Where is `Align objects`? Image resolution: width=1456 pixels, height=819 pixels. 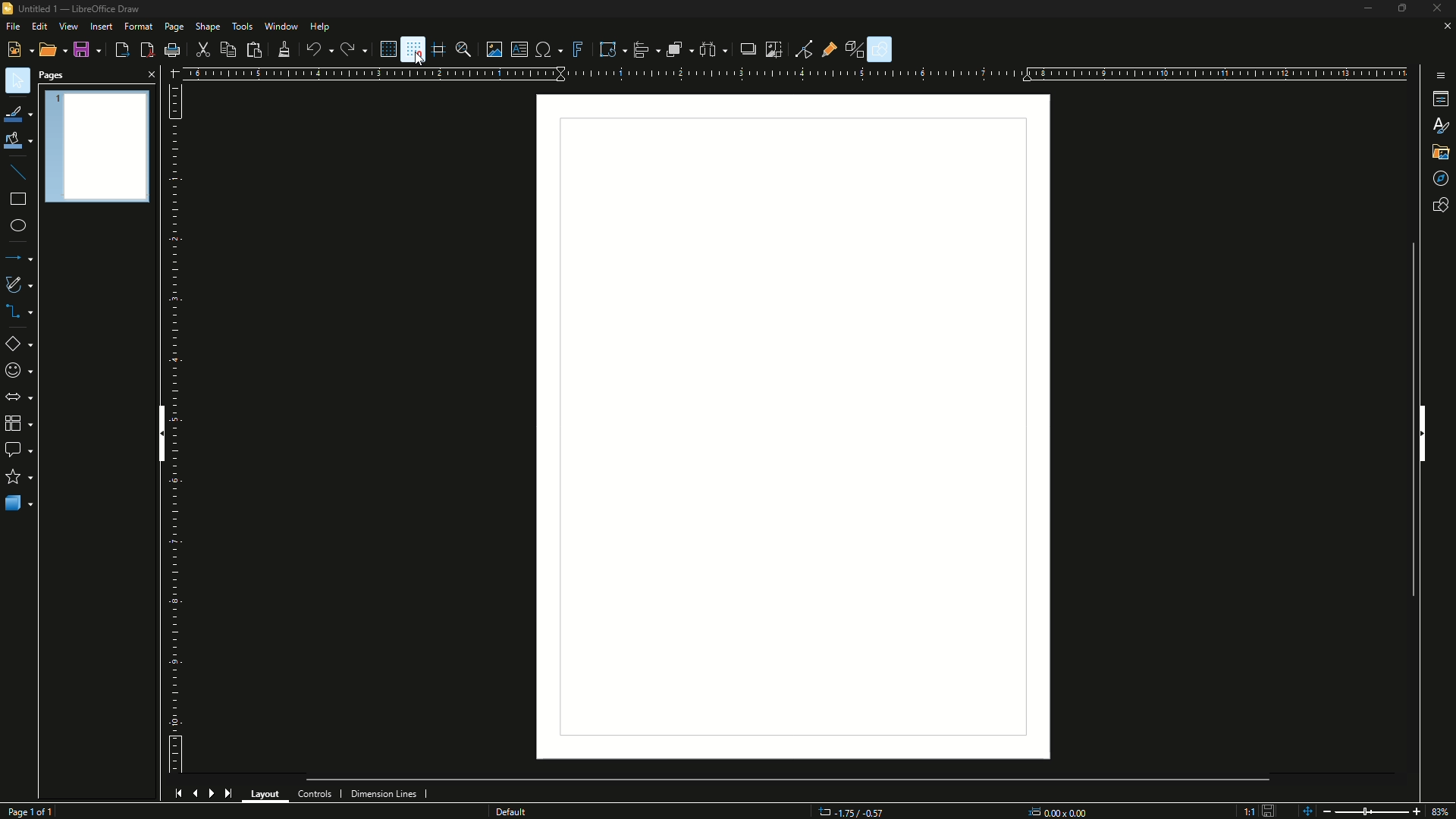 Align objects is located at coordinates (640, 51).